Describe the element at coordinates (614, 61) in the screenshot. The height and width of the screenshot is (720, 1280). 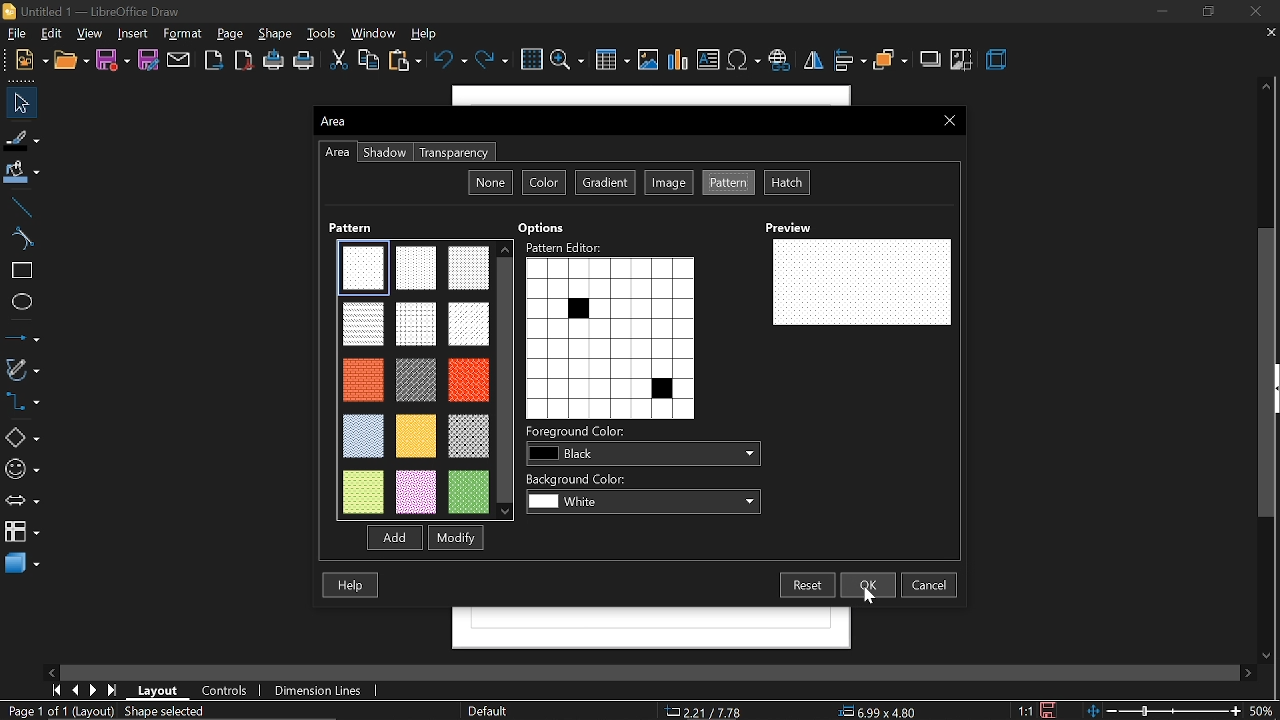
I see `insert table` at that location.